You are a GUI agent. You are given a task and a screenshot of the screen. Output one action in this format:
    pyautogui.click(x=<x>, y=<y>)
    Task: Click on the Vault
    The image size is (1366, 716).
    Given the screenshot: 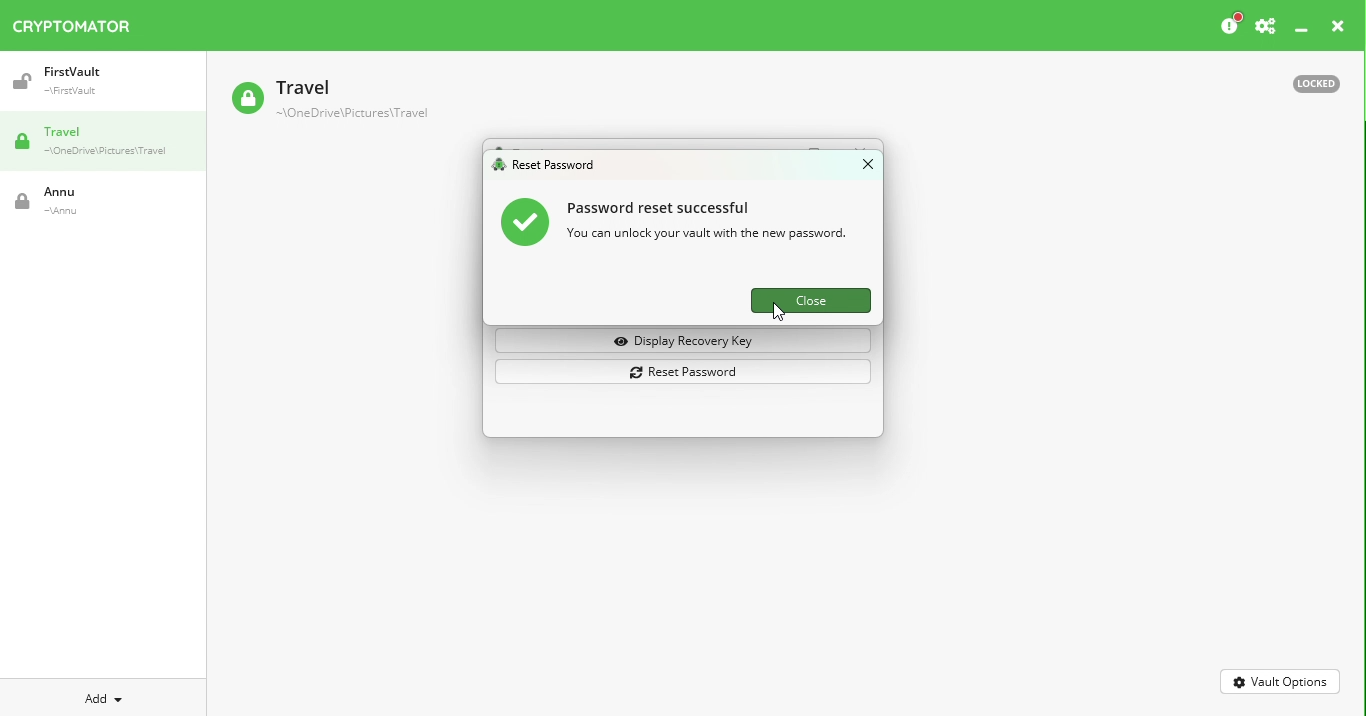 What is the action you would take?
    pyautogui.click(x=329, y=101)
    